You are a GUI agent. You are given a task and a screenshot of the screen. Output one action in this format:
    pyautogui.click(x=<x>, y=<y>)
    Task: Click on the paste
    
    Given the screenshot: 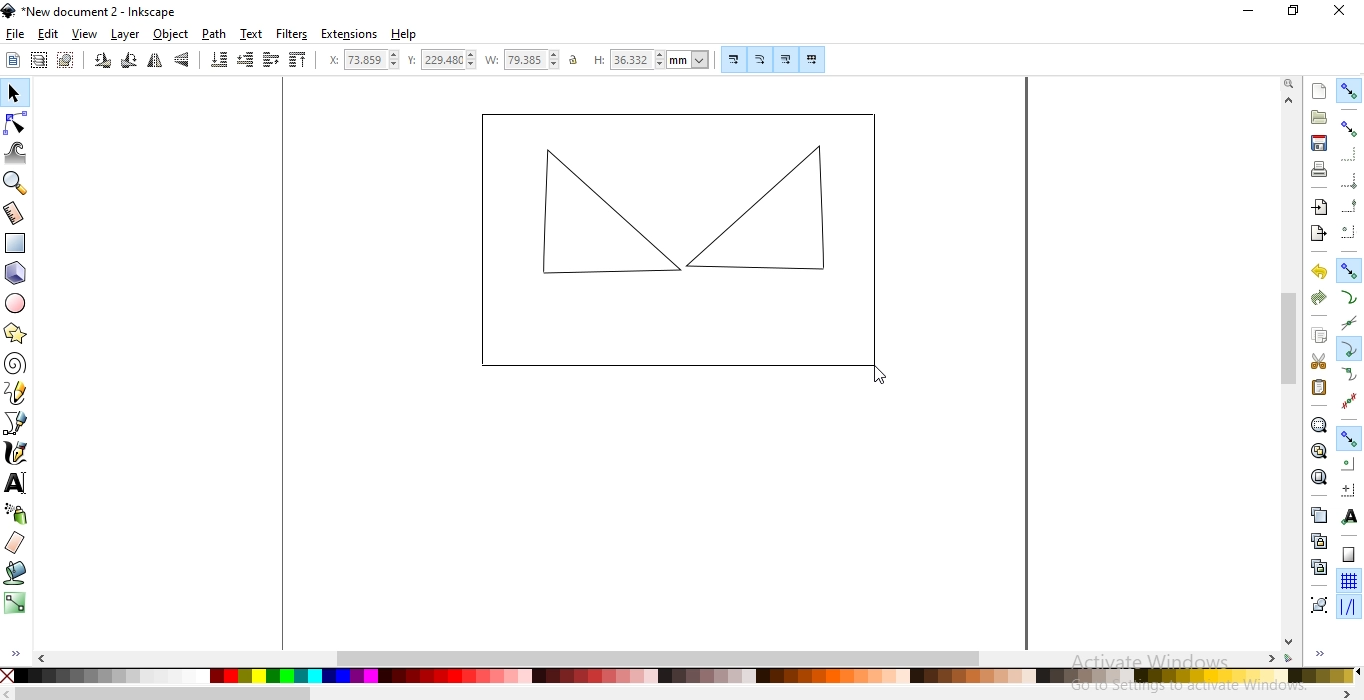 What is the action you would take?
    pyautogui.click(x=1320, y=387)
    